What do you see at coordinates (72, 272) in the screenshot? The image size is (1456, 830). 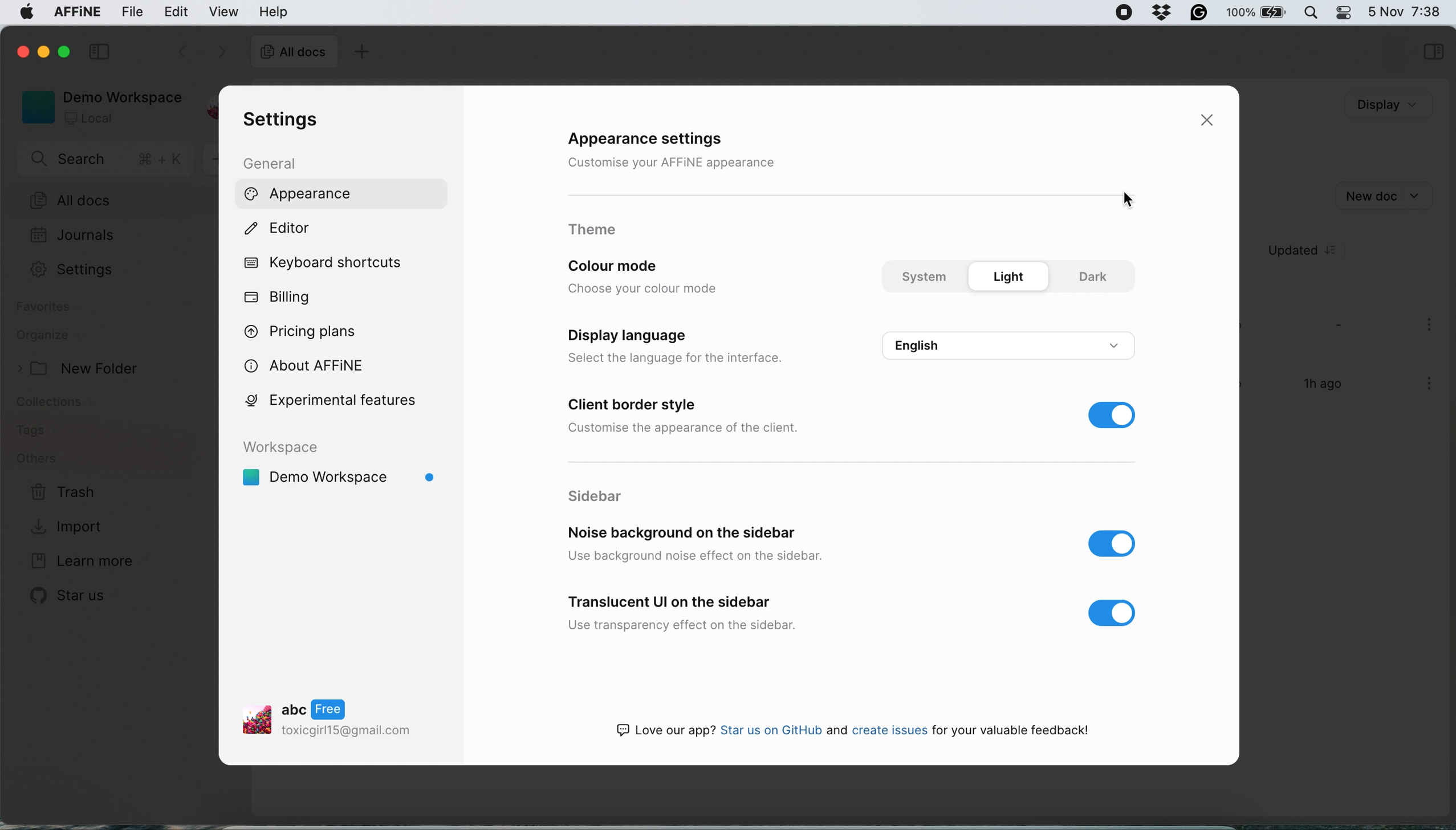 I see `settings` at bounding box center [72, 272].